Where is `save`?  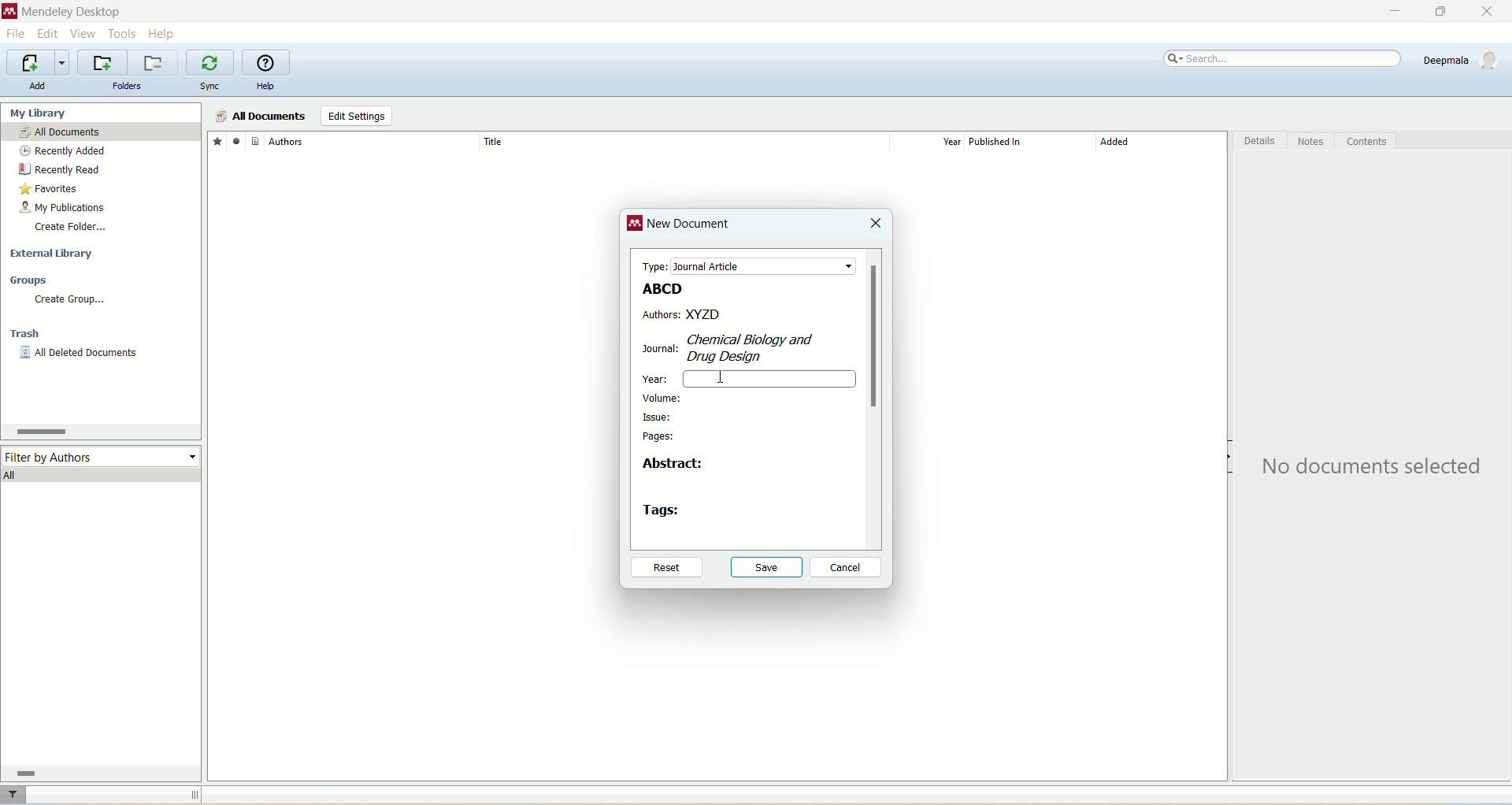
save is located at coordinates (767, 566).